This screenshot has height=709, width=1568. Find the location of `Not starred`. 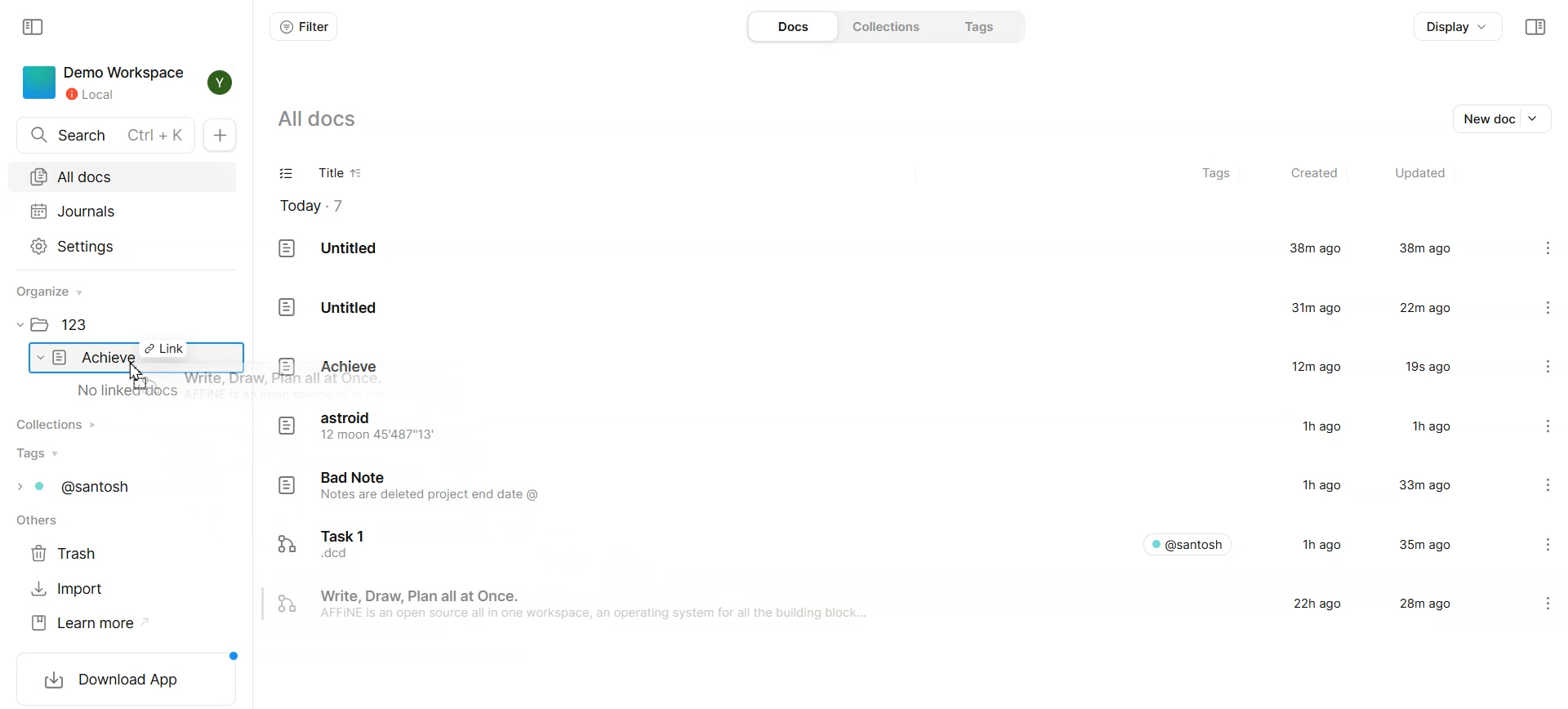

Not starred is located at coordinates (1517, 604).